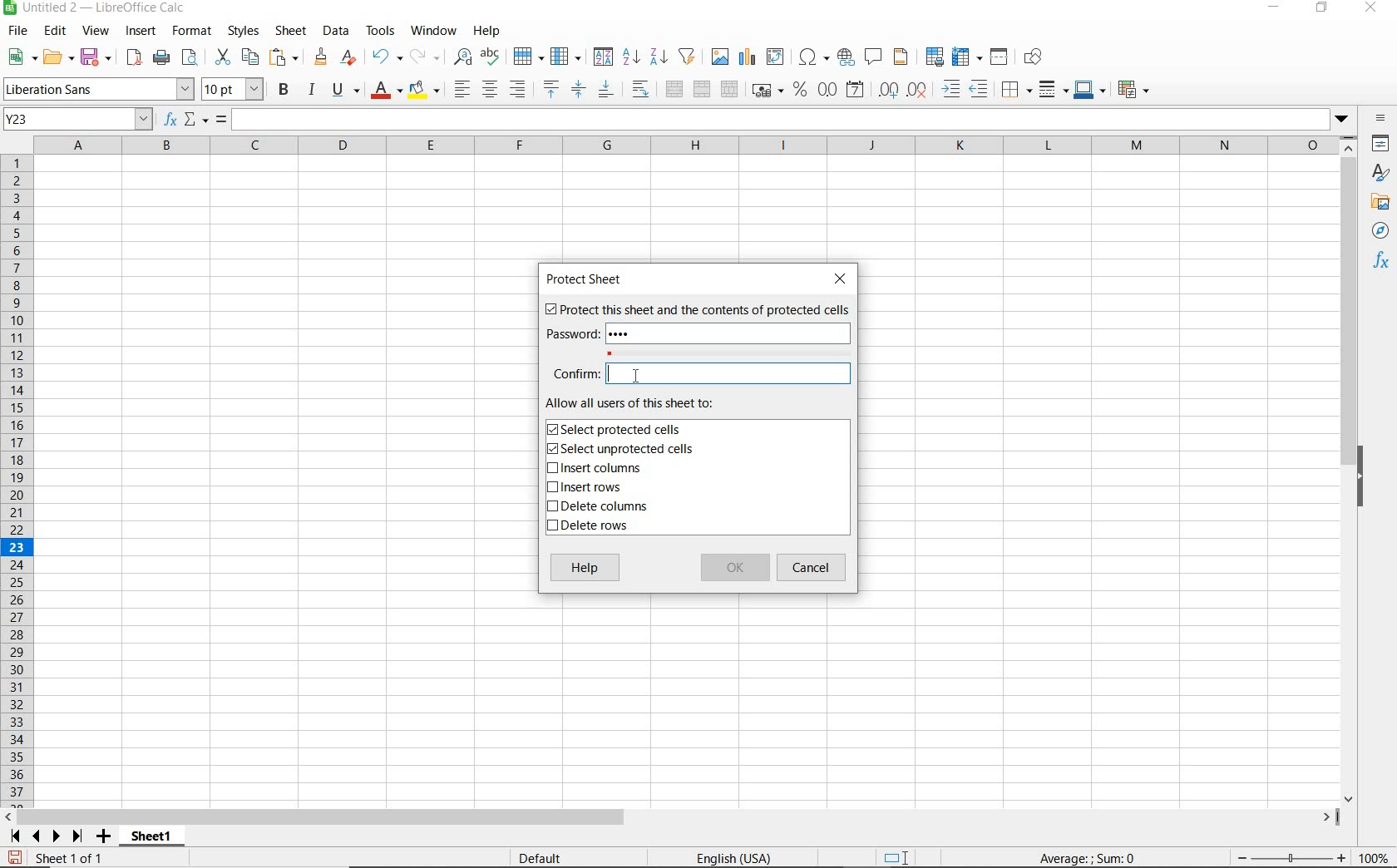 Image resolution: width=1397 pixels, height=868 pixels. Describe the element at coordinates (729, 90) in the screenshot. I see `UNMERGE CELLS` at that location.